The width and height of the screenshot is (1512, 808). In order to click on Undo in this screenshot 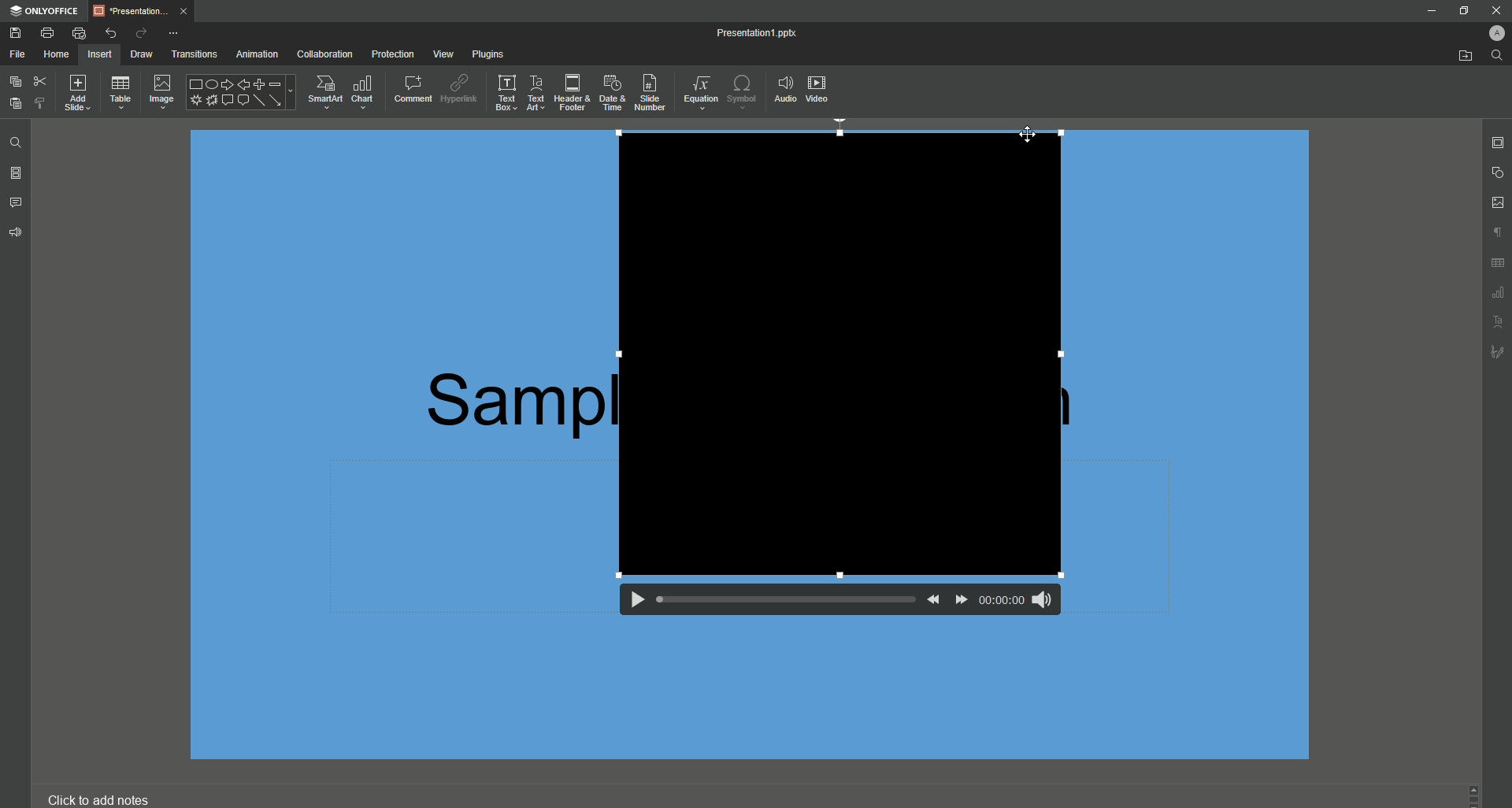, I will do `click(110, 31)`.